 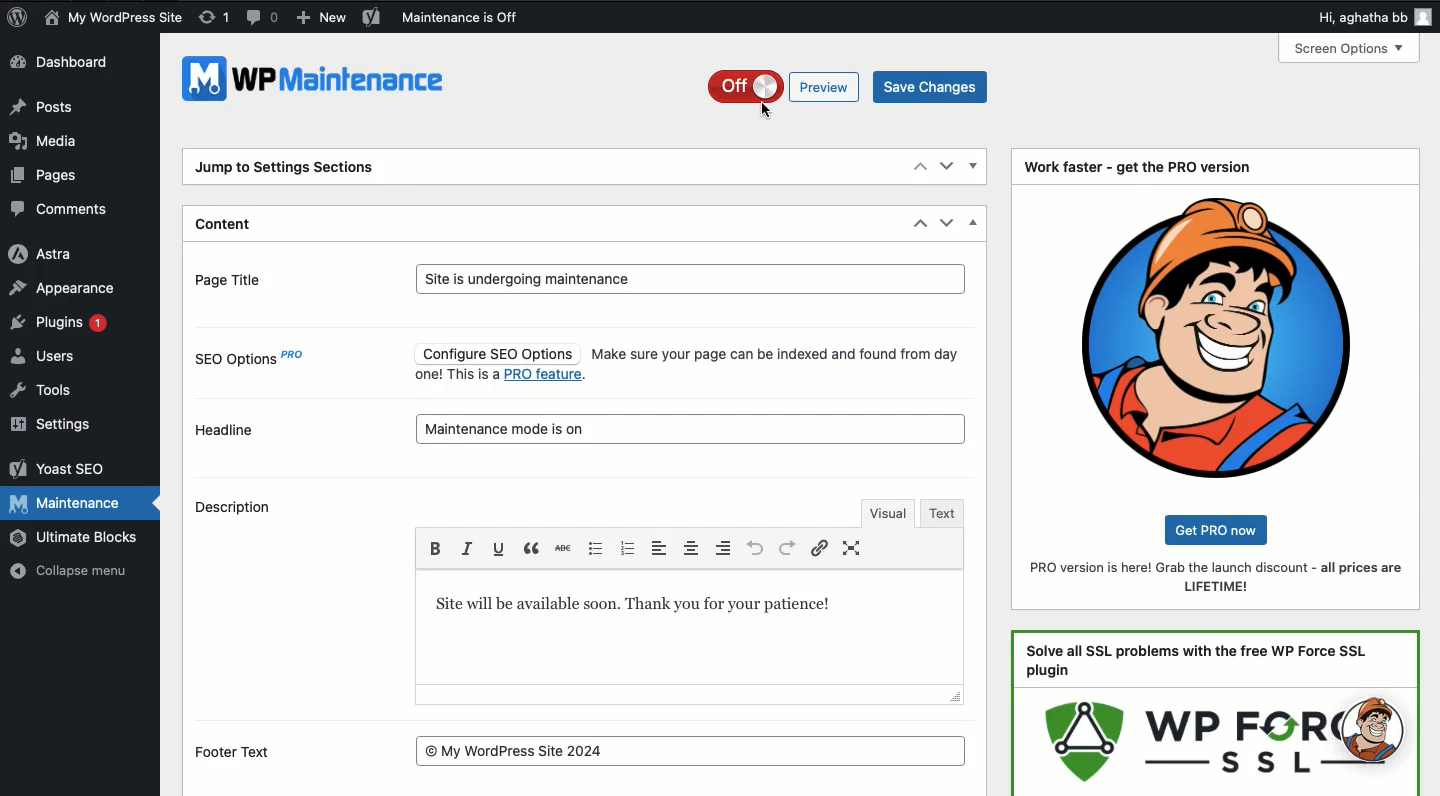 I want to click on Preview, so click(x=825, y=87).